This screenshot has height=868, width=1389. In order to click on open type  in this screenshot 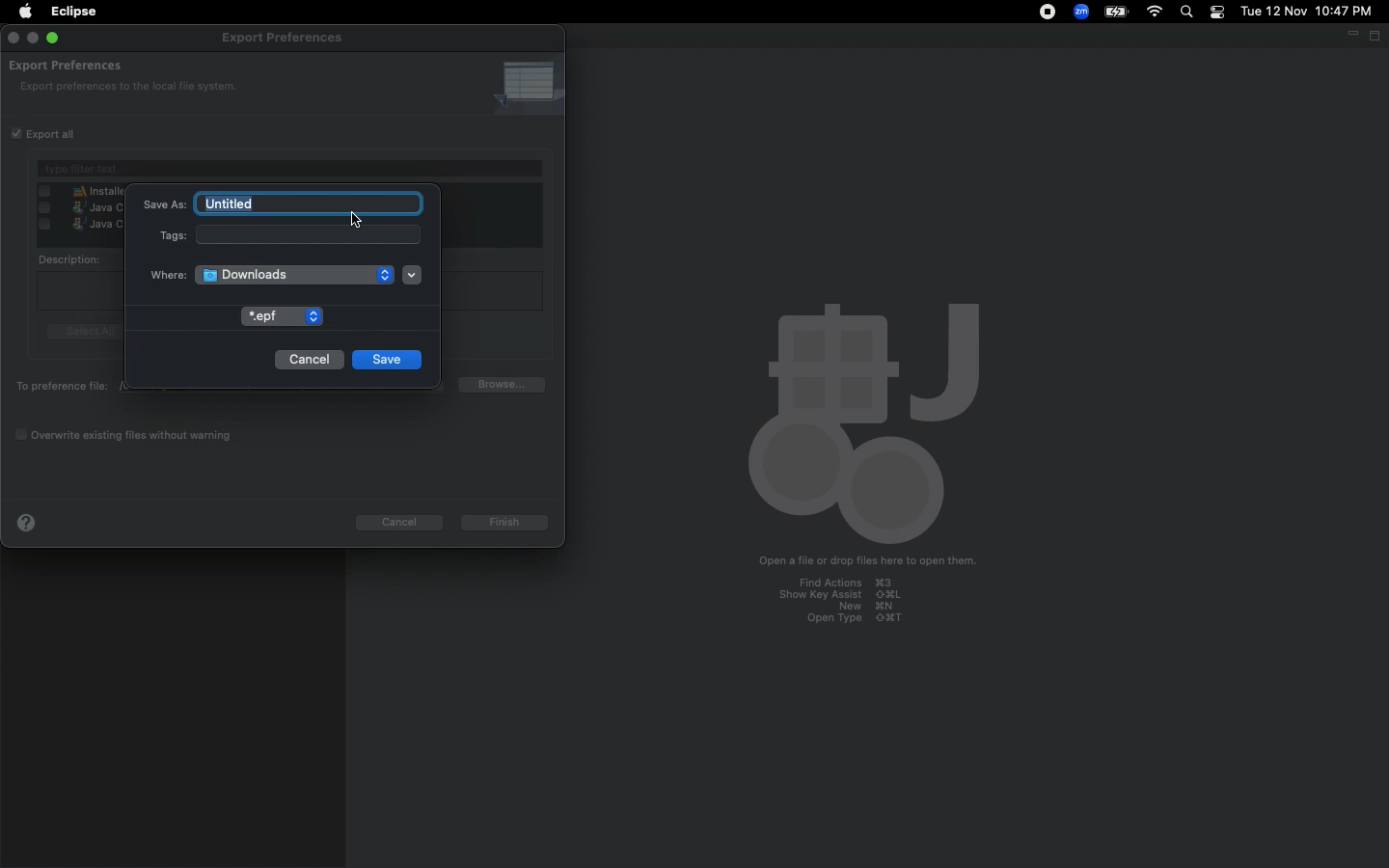, I will do `click(863, 619)`.